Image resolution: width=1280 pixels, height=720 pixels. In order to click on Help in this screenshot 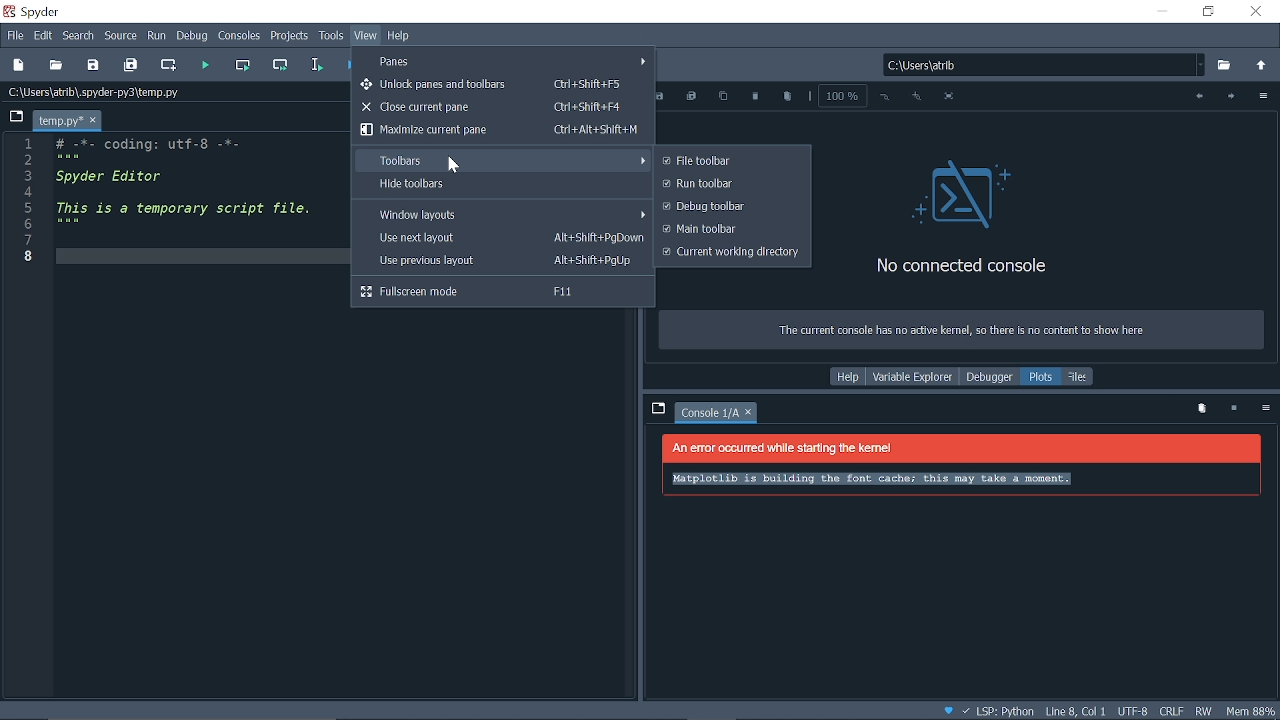, I will do `click(399, 36)`.